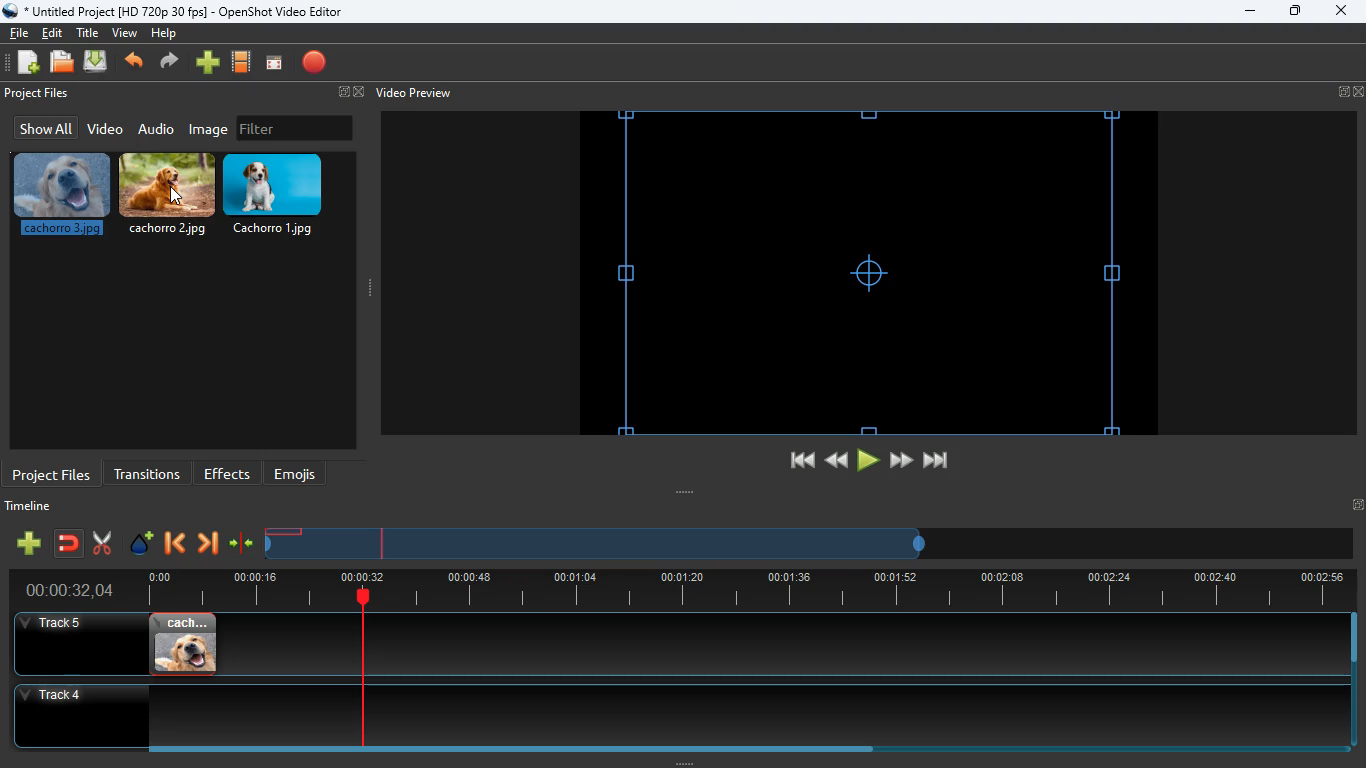 Image resolution: width=1366 pixels, height=768 pixels. Describe the element at coordinates (142, 545) in the screenshot. I see `effect` at that location.